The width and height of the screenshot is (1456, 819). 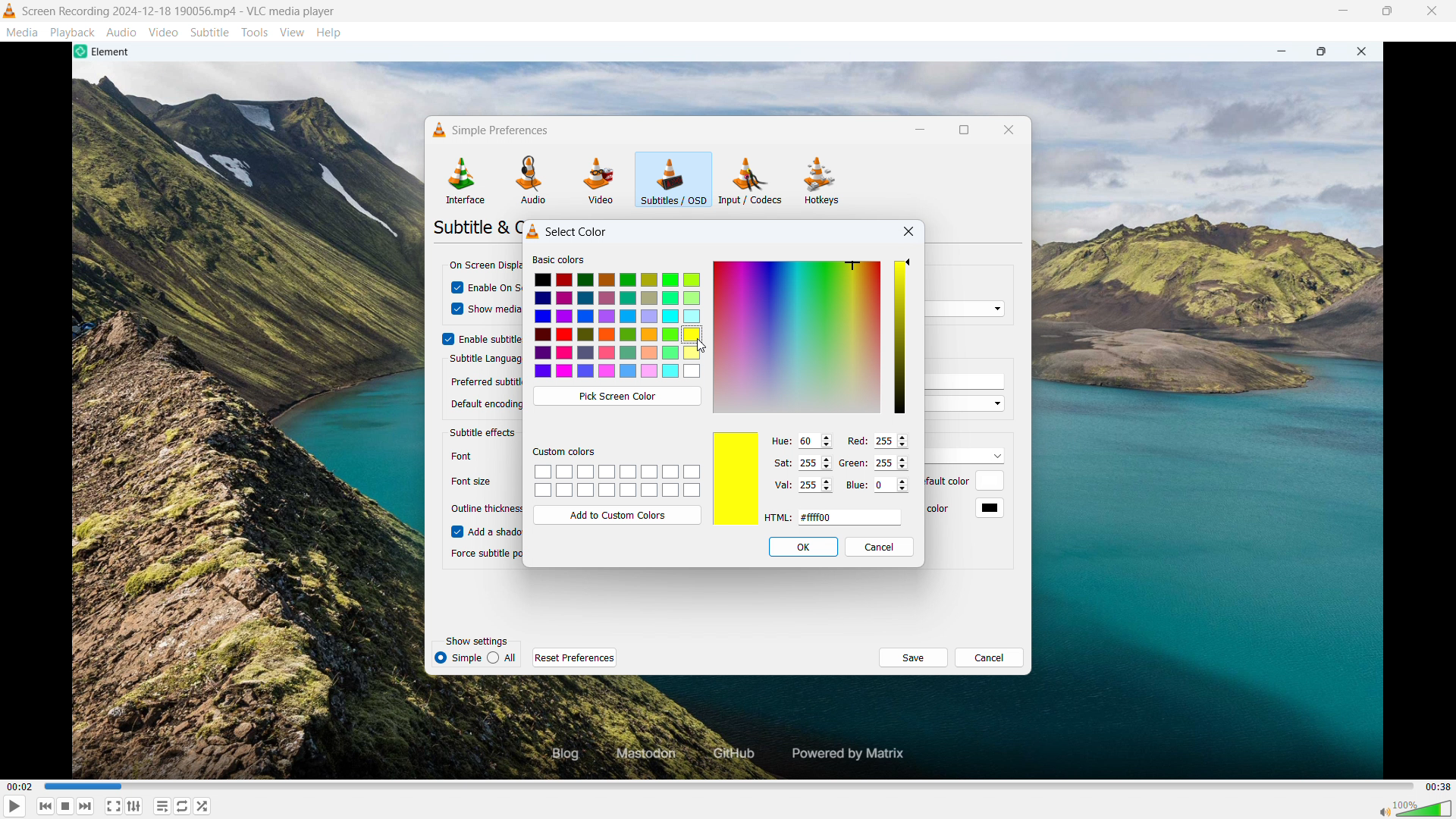 I want to click on minimise dialogue box , so click(x=921, y=130).